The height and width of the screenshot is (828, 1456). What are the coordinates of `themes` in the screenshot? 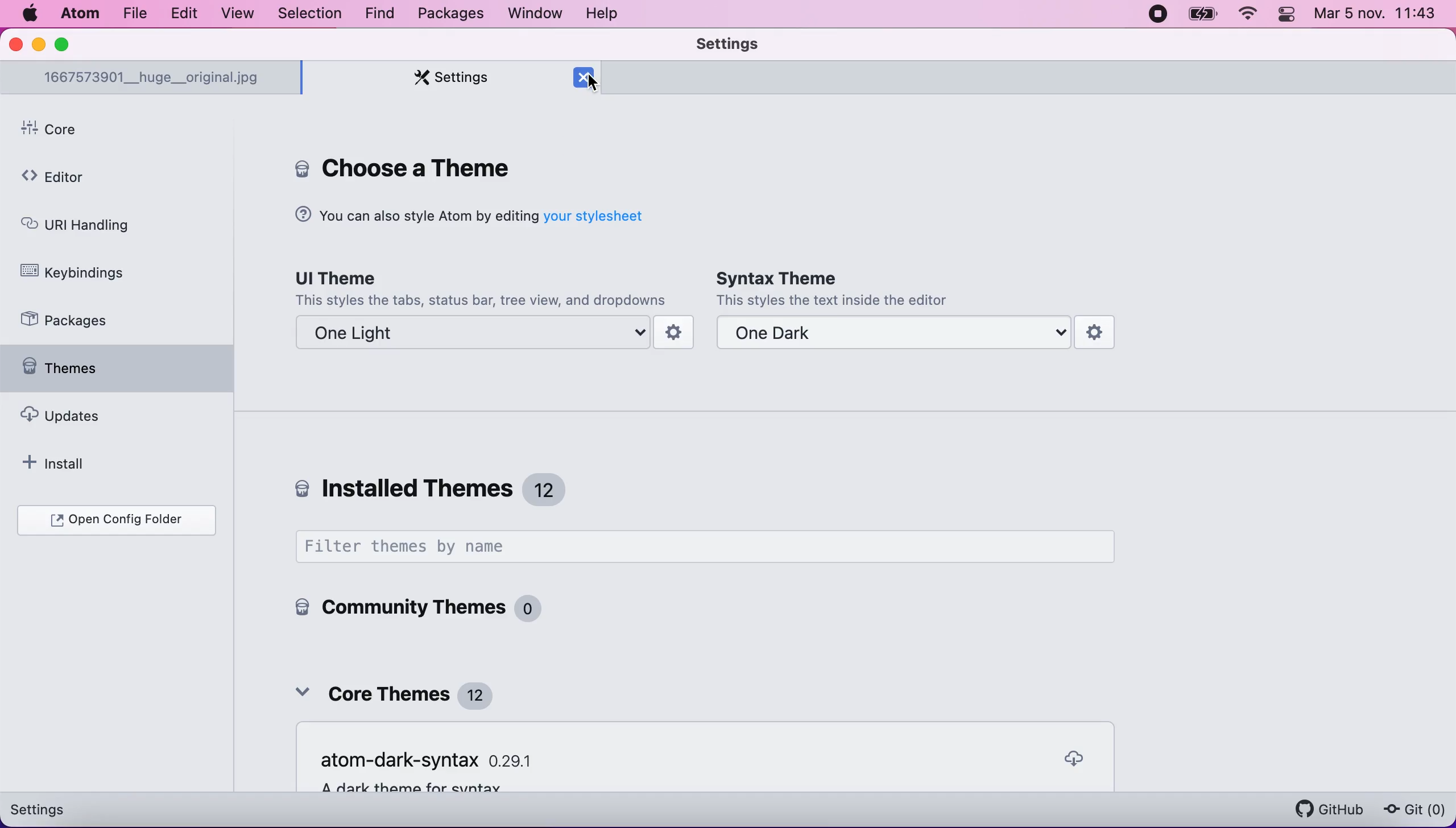 It's located at (117, 372).